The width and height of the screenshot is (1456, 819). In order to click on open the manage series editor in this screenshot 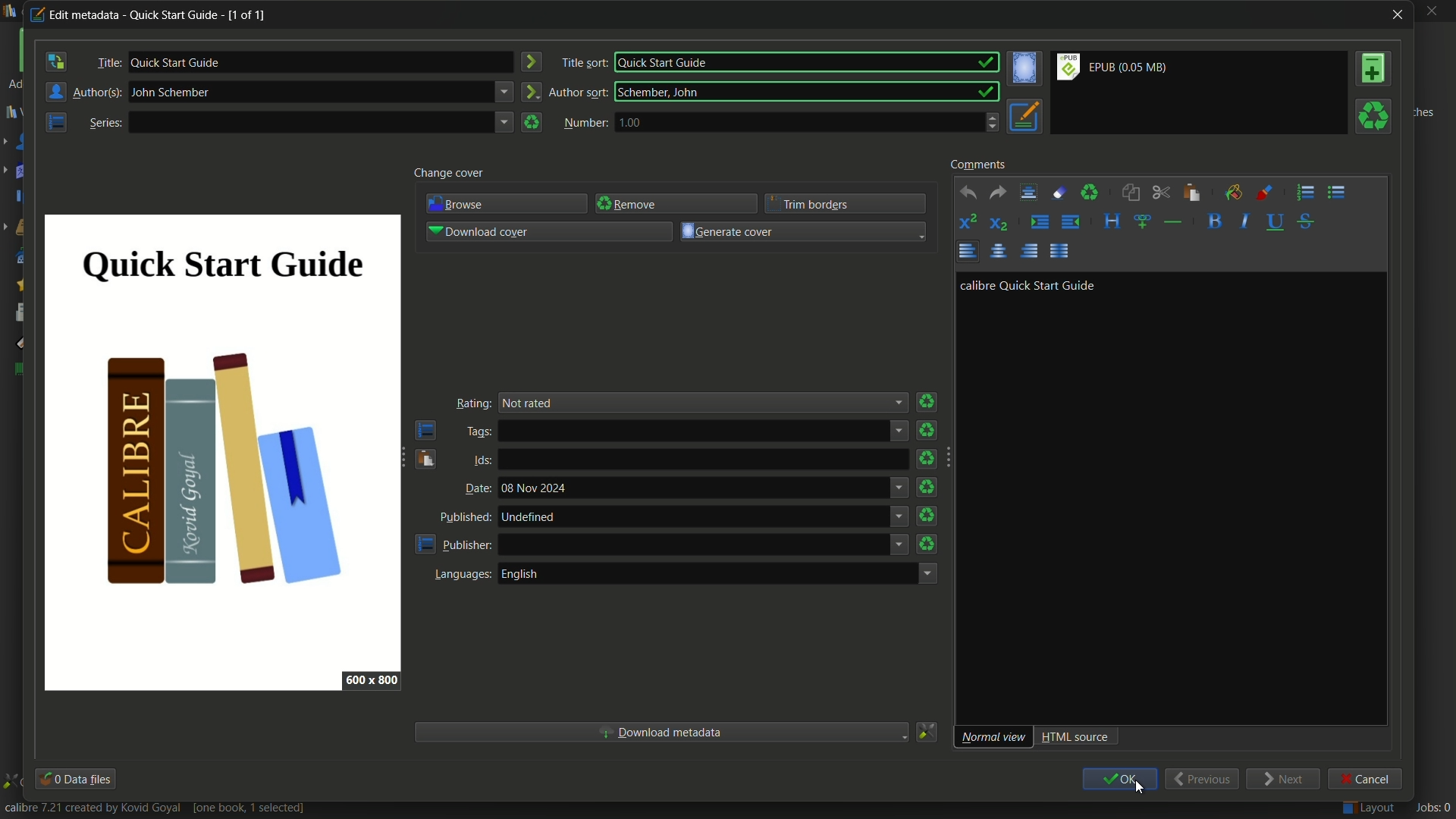, I will do `click(61, 124)`.